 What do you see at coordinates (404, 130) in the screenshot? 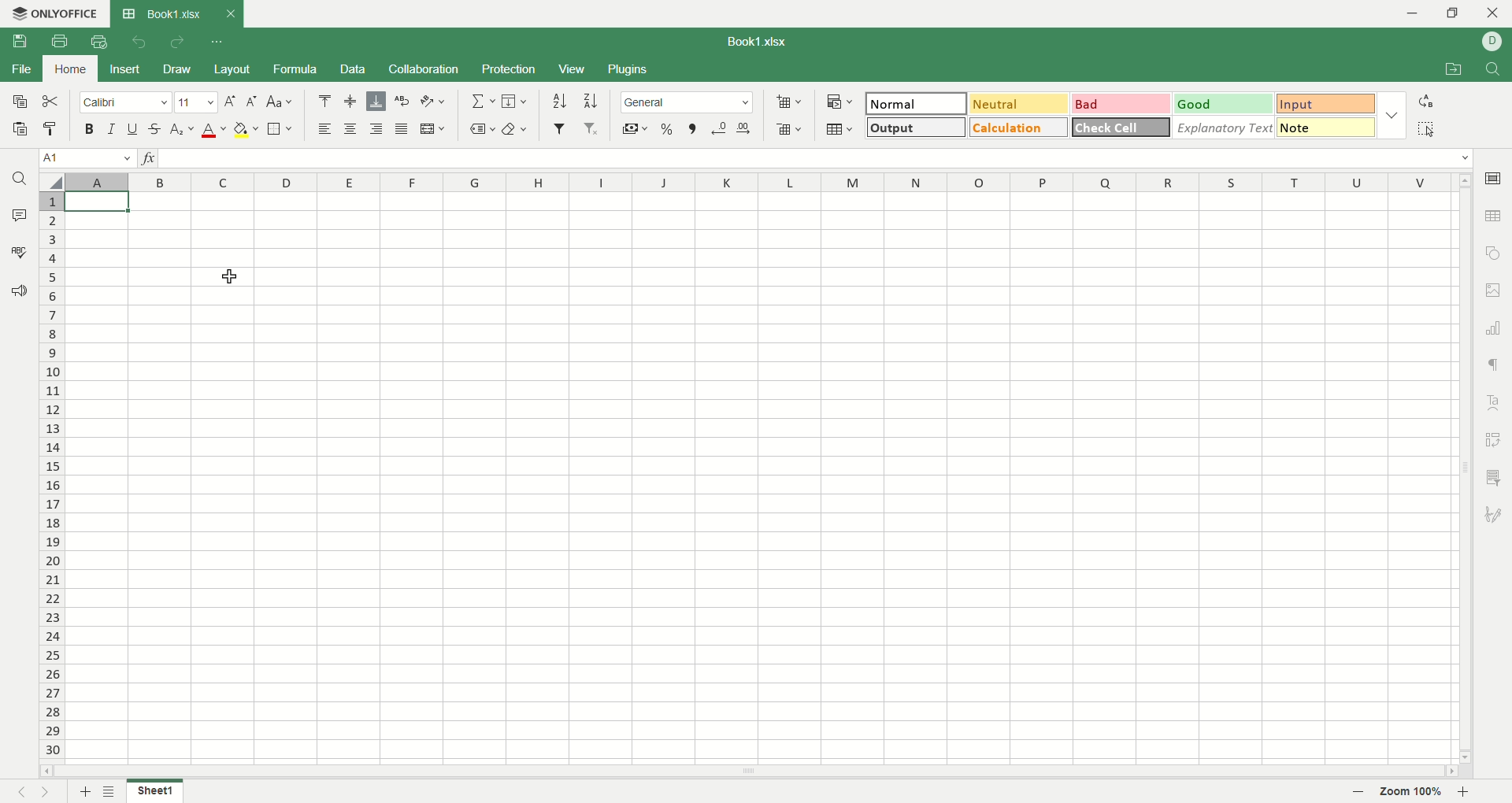
I see `justified` at bounding box center [404, 130].